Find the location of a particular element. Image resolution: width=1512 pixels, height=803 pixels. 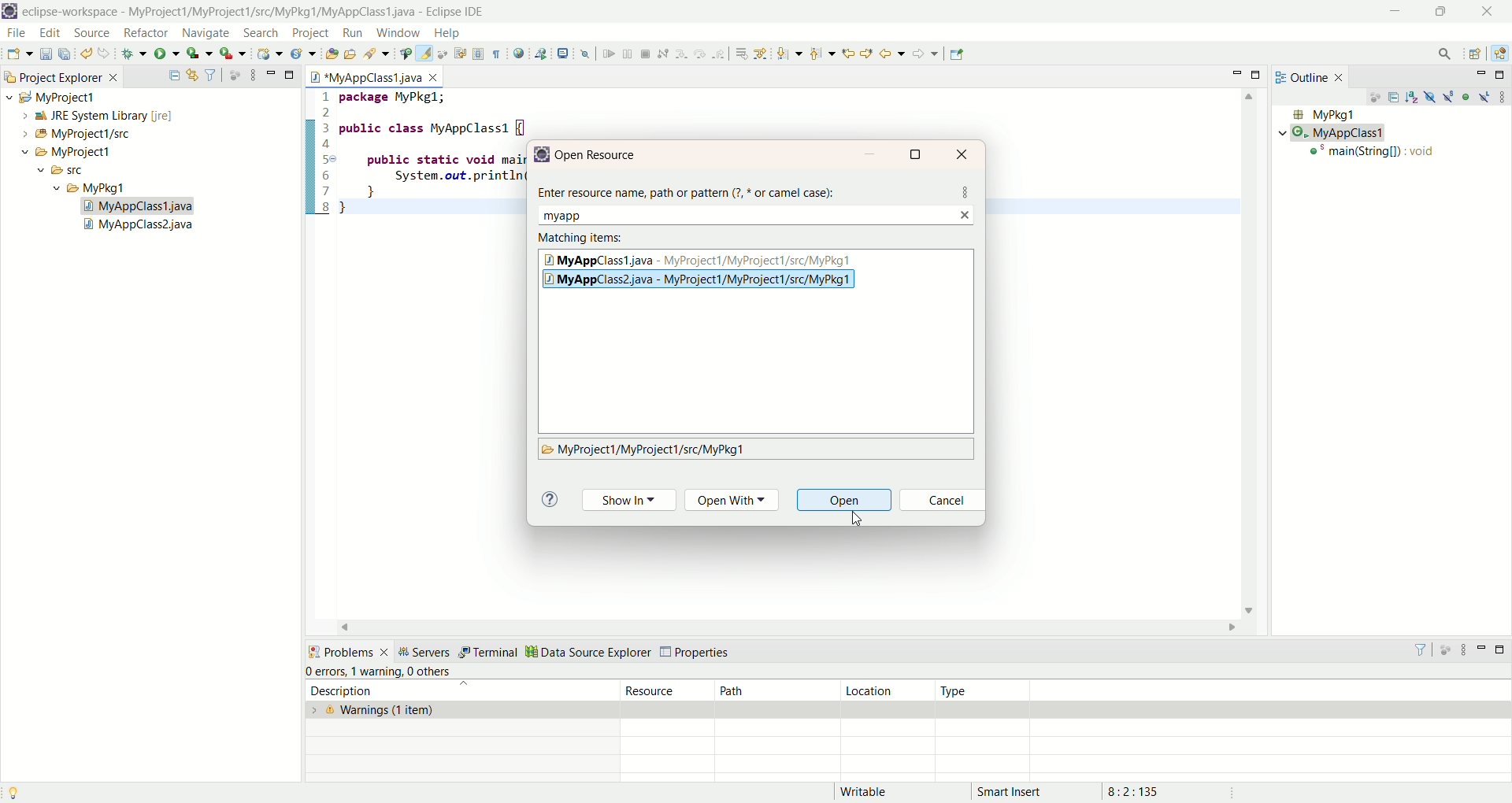

path is located at coordinates (775, 690).